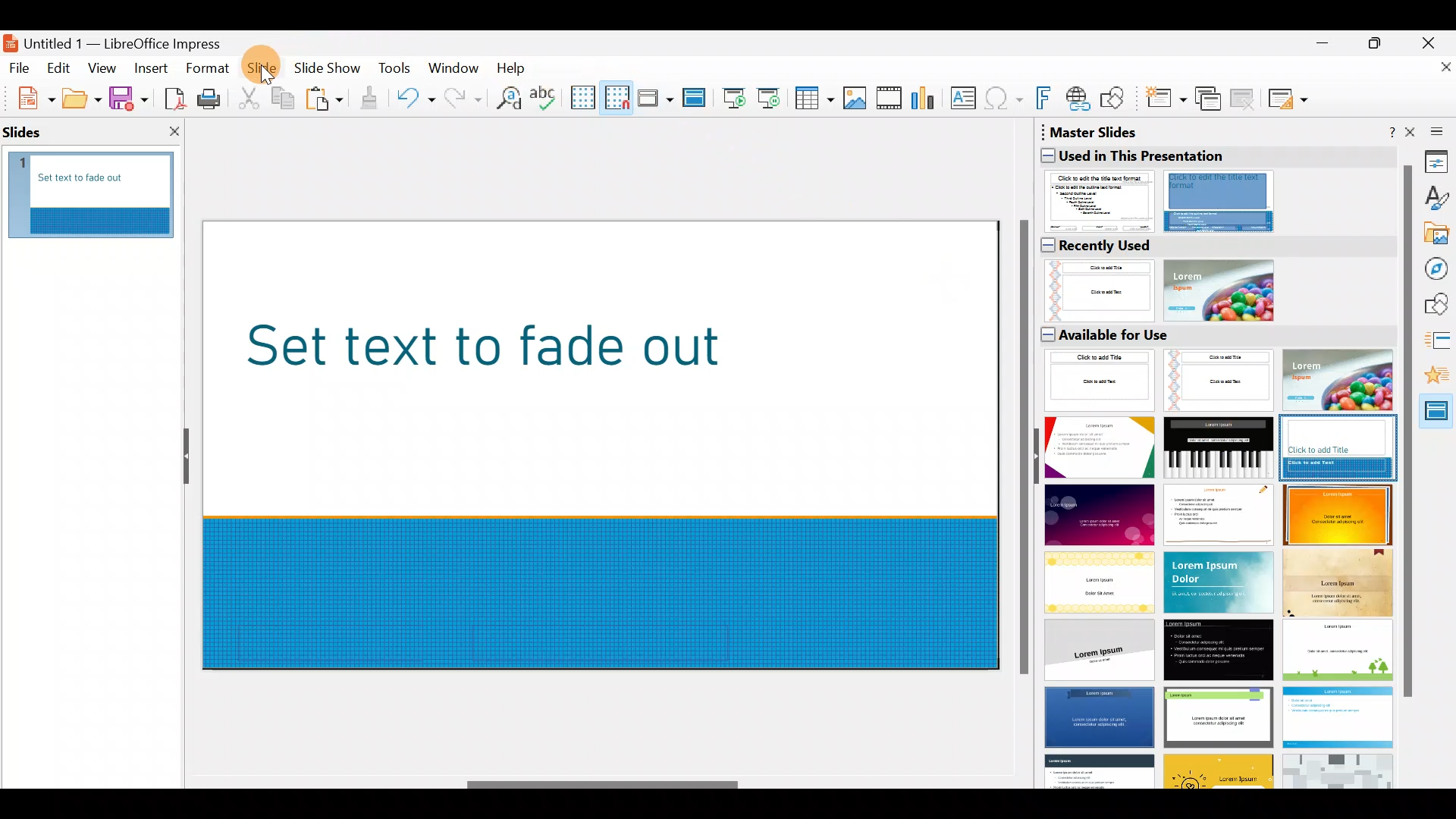  I want to click on Master slides used in this presentation, so click(1214, 178).